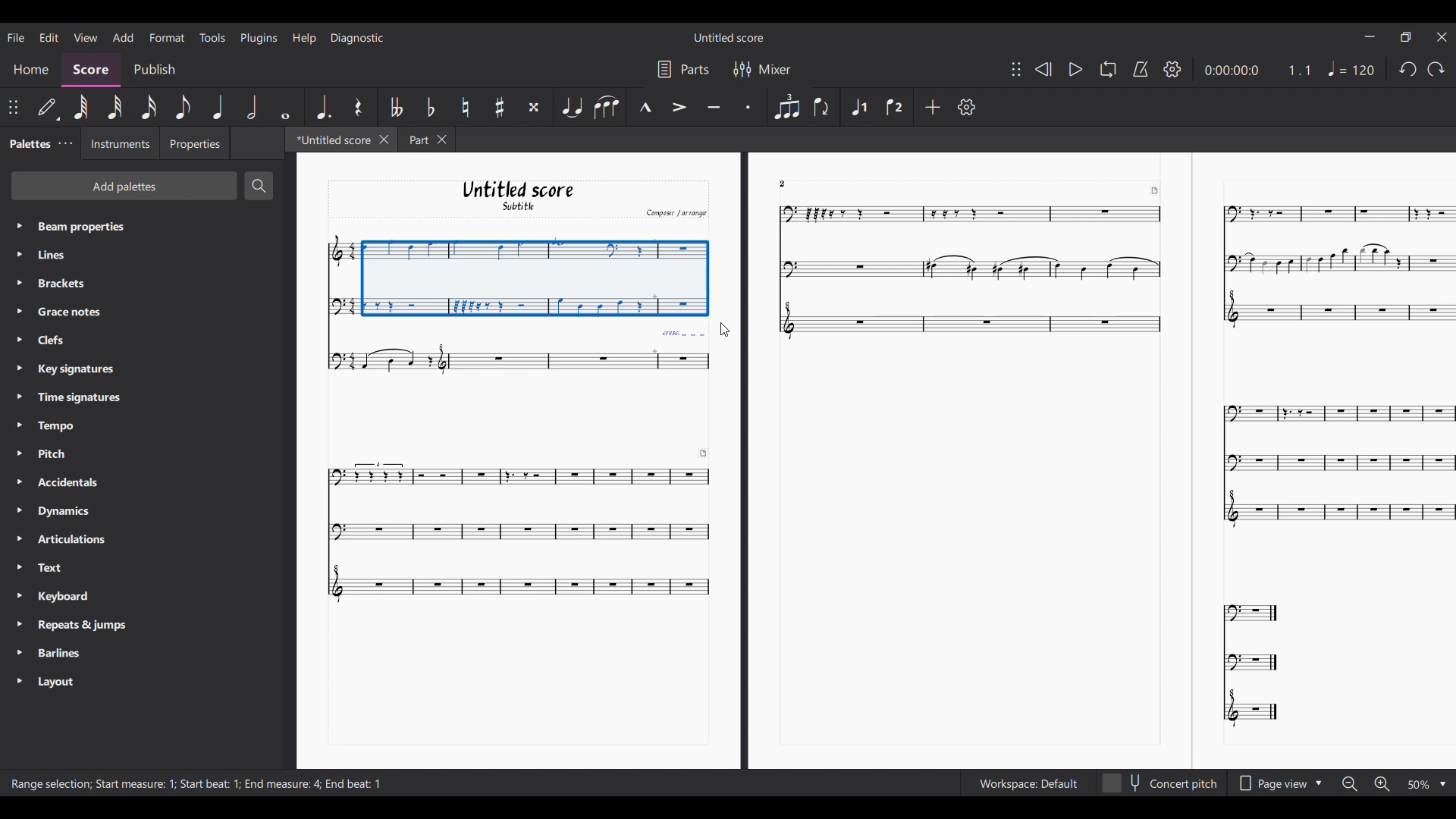  Describe the element at coordinates (972, 319) in the screenshot. I see `` at that location.